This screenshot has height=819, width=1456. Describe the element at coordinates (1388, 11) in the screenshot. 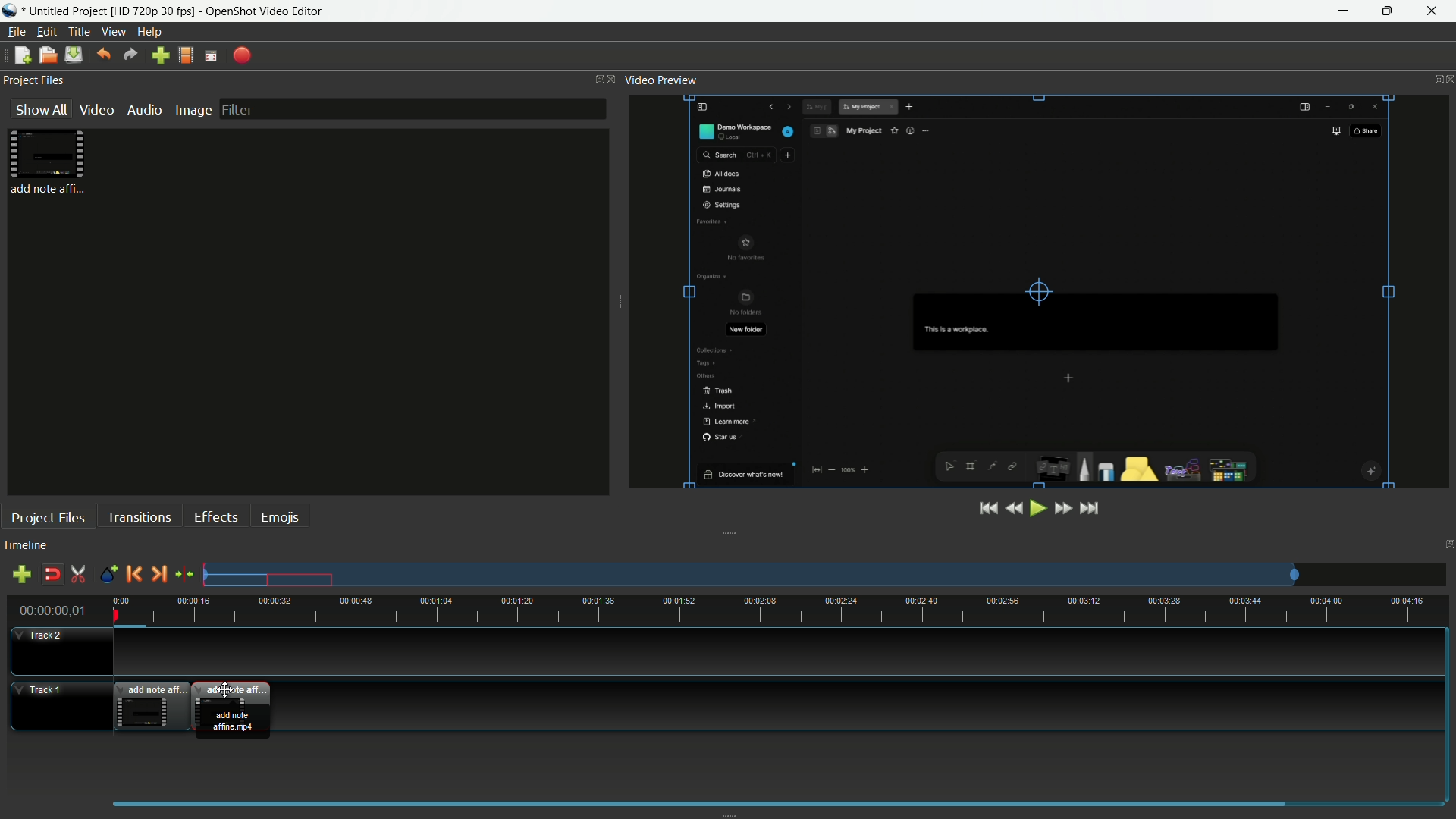

I see `maximize` at that location.